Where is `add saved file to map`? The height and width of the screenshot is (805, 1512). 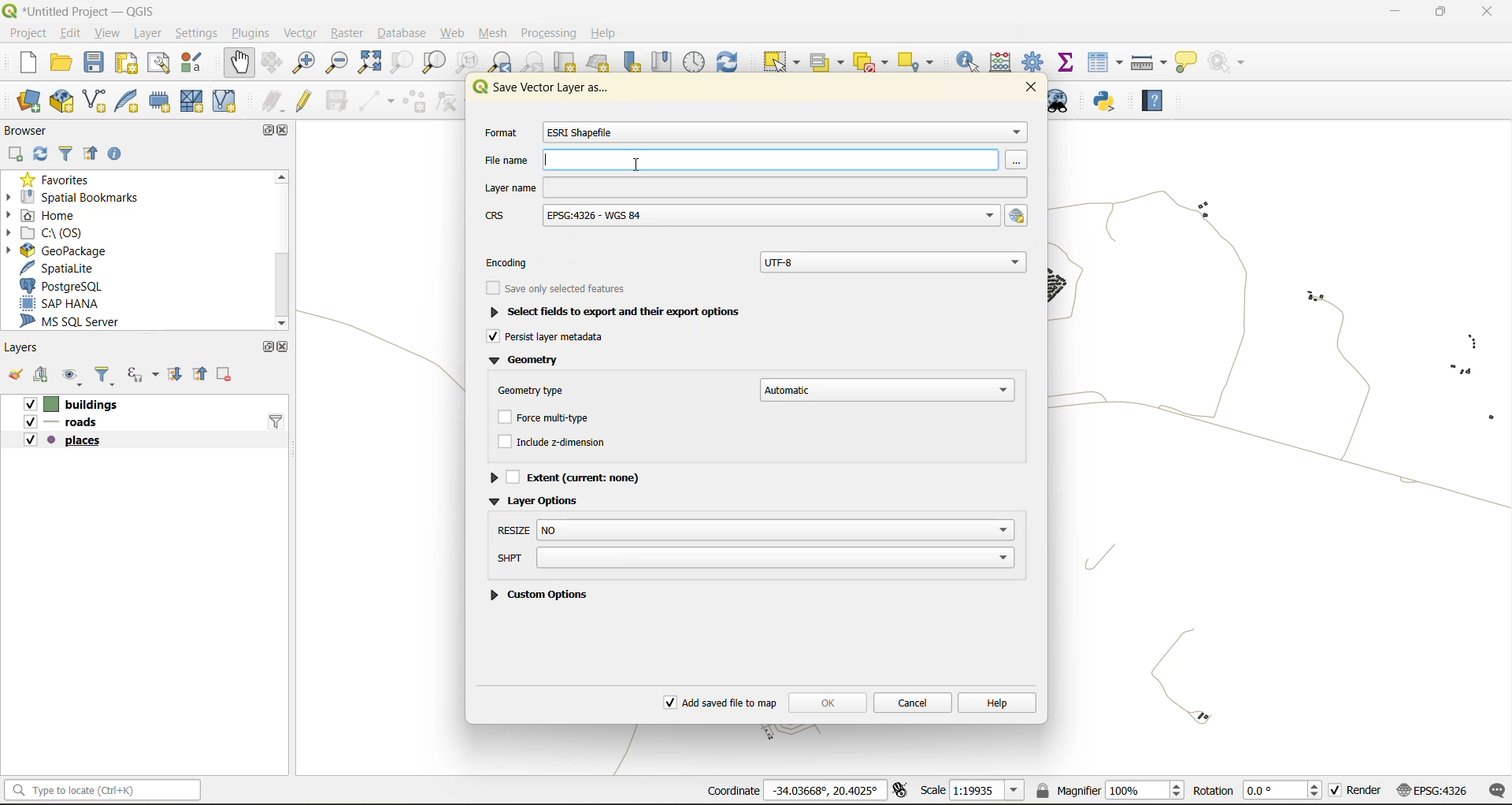 add saved file to map is located at coordinates (717, 699).